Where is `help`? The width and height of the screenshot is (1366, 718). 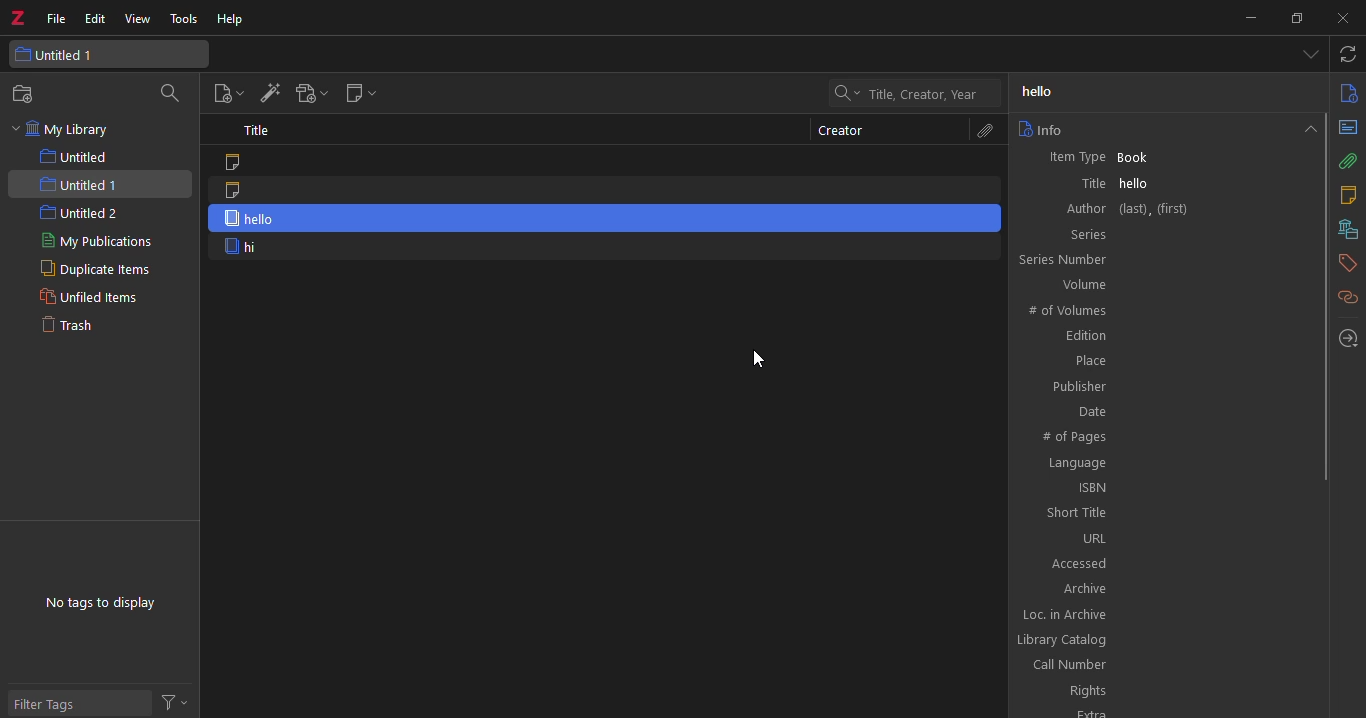 help is located at coordinates (231, 21).